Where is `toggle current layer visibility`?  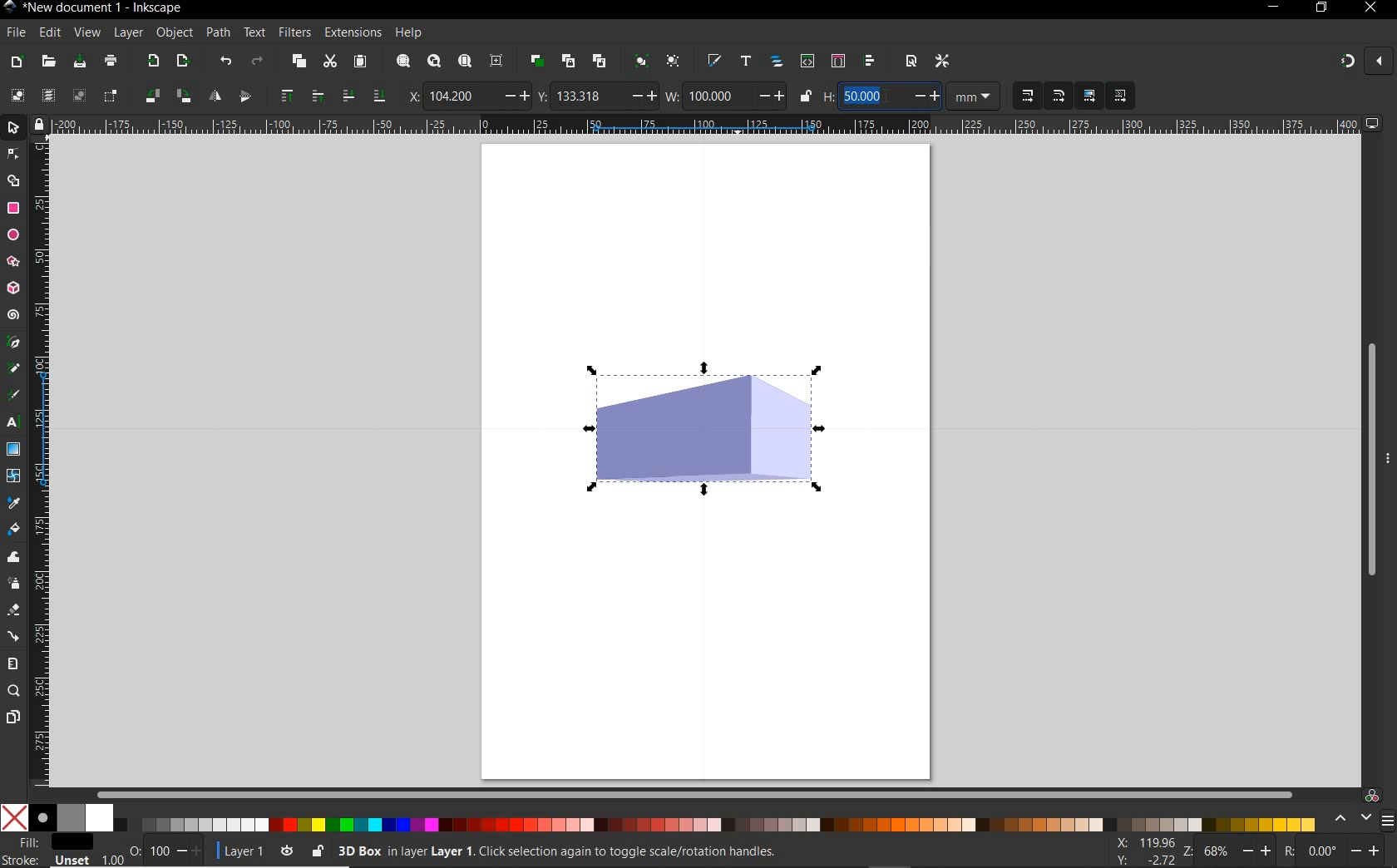 toggle current layer visibility is located at coordinates (284, 851).